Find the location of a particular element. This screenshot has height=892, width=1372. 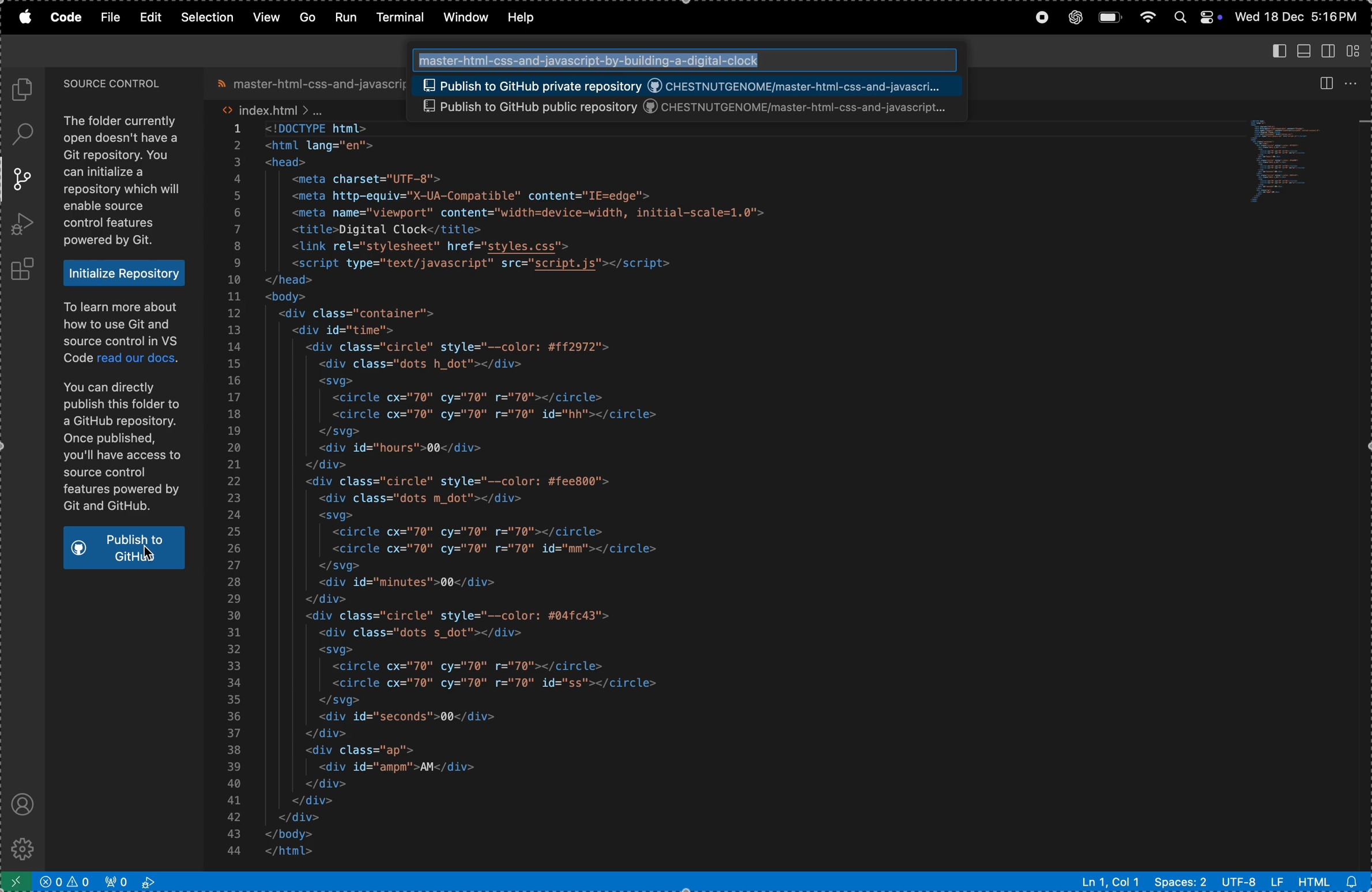

<div id="hours">00</div> is located at coordinates (409, 448).